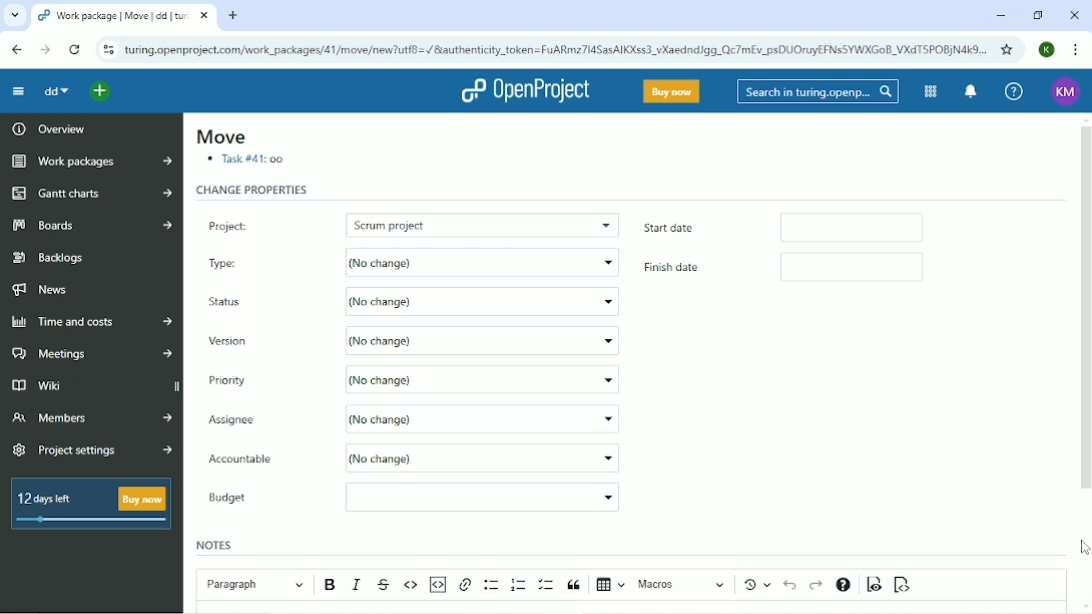 This screenshot has height=614, width=1092. Describe the element at coordinates (492, 585) in the screenshot. I see `Bulleted list` at that location.